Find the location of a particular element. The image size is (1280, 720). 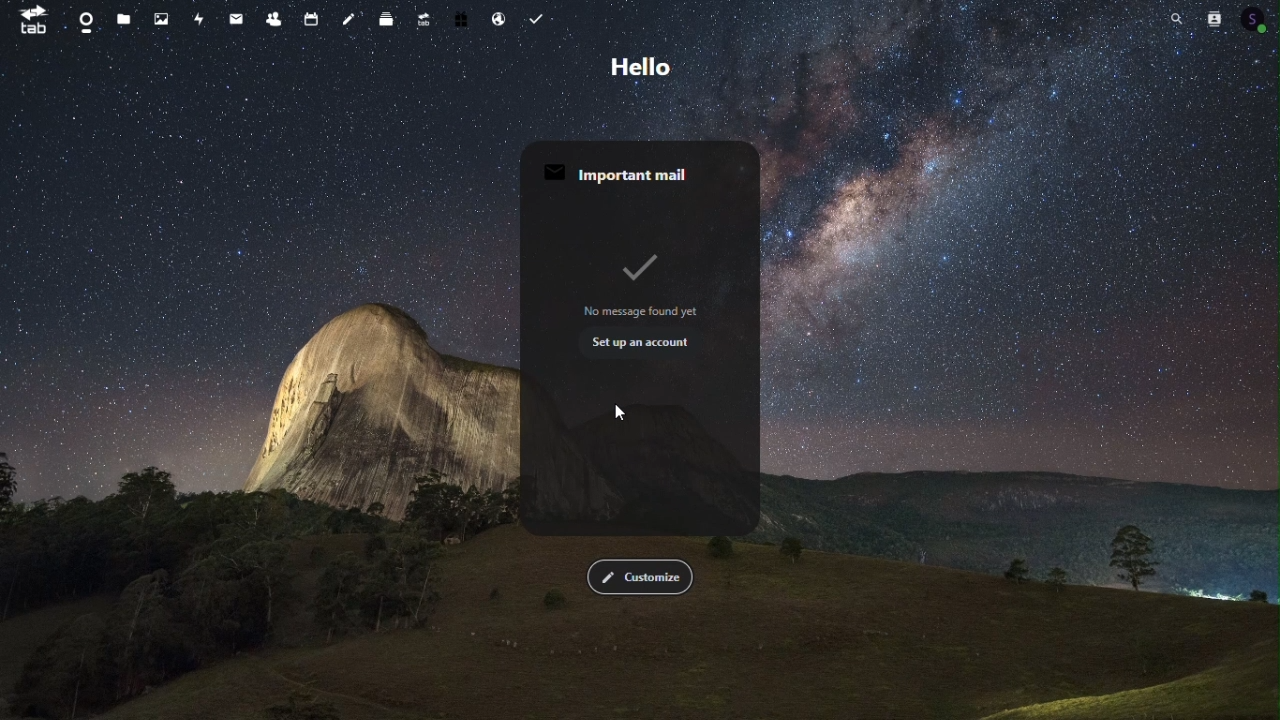

files is located at coordinates (123, 17).